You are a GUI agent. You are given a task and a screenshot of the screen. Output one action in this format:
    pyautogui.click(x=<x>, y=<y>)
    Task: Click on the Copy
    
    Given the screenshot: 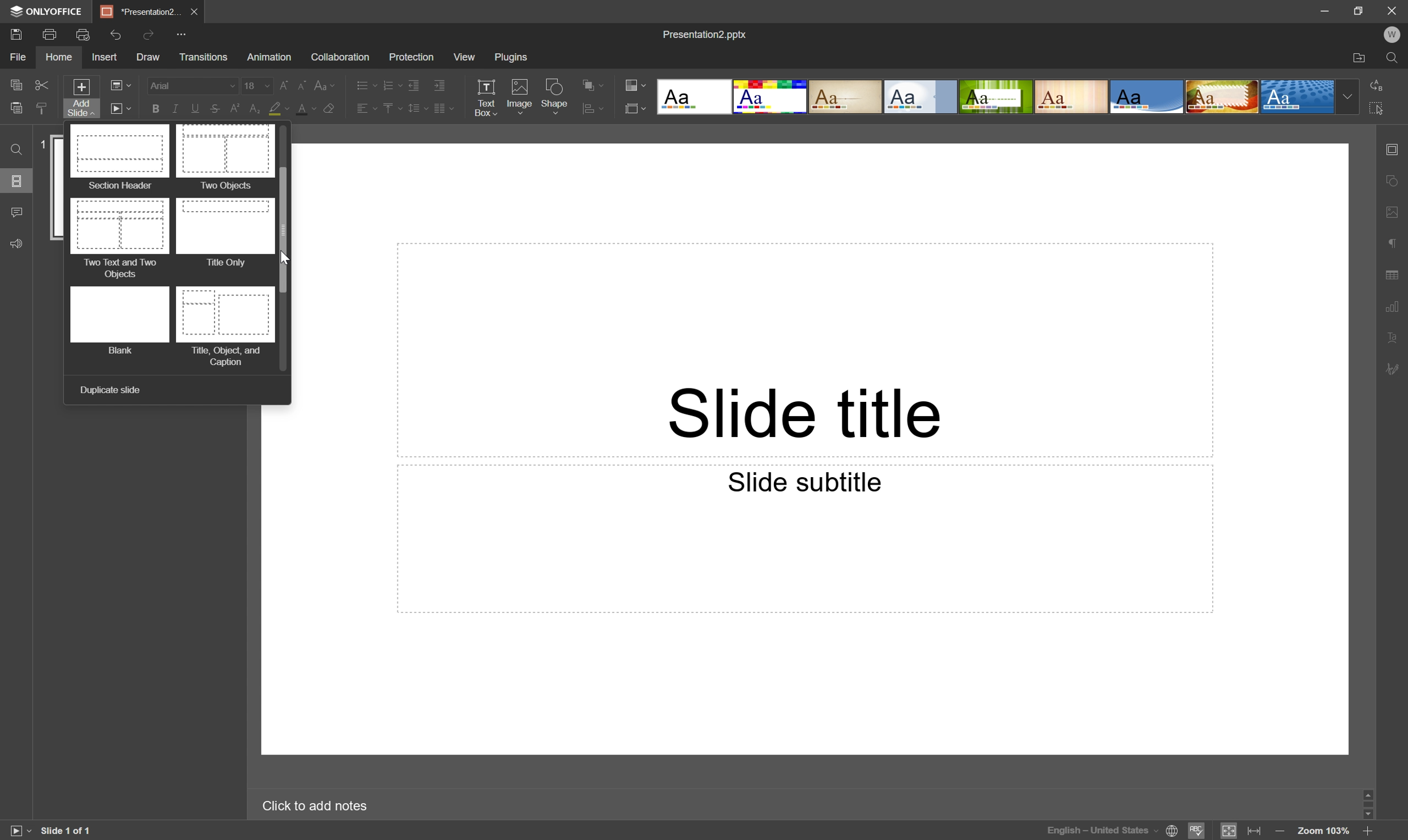 What is the action you would take?
    pyautogui.click(x=18, y=84)
    